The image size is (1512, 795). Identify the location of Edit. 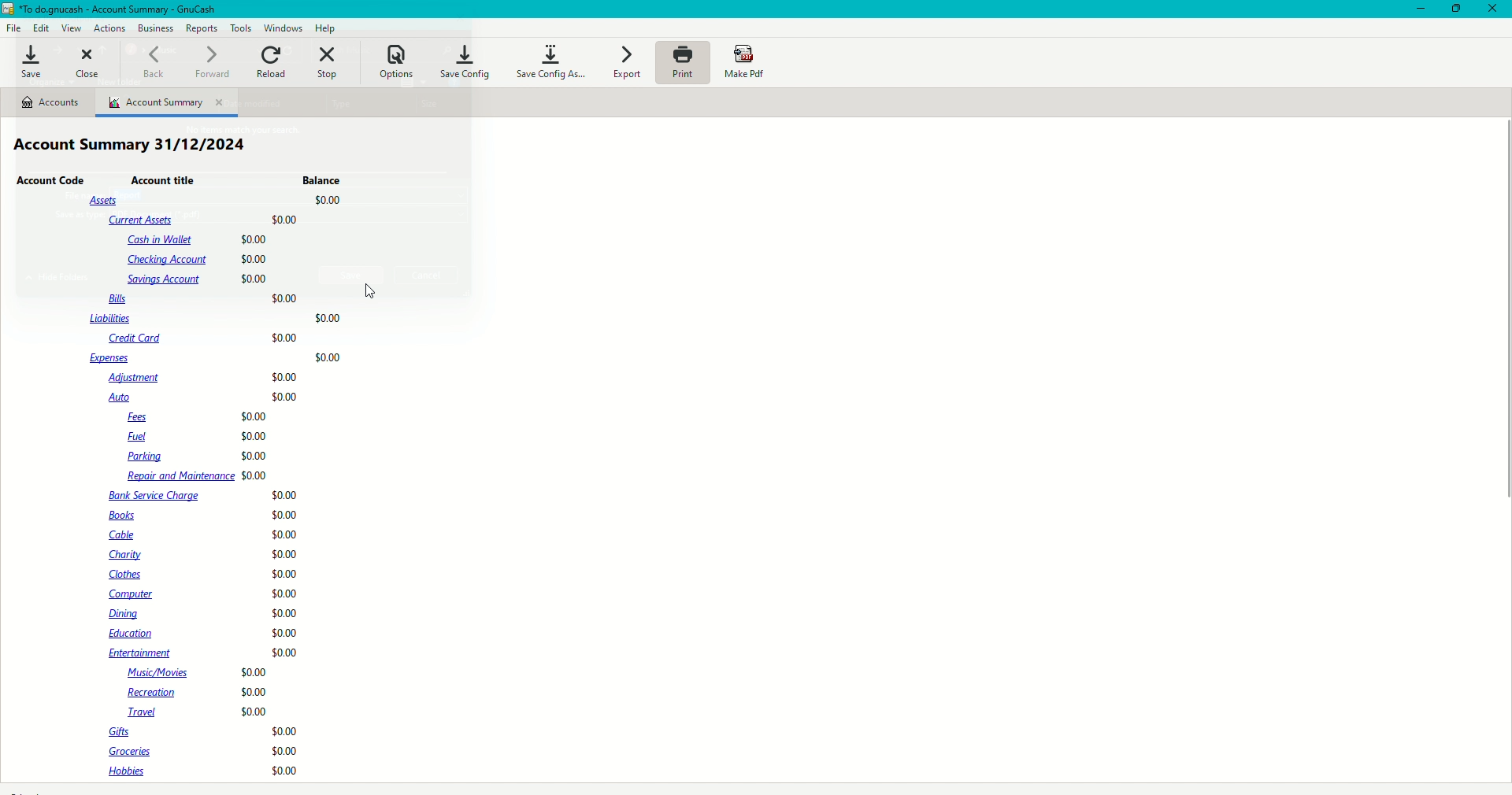
(43, 28).